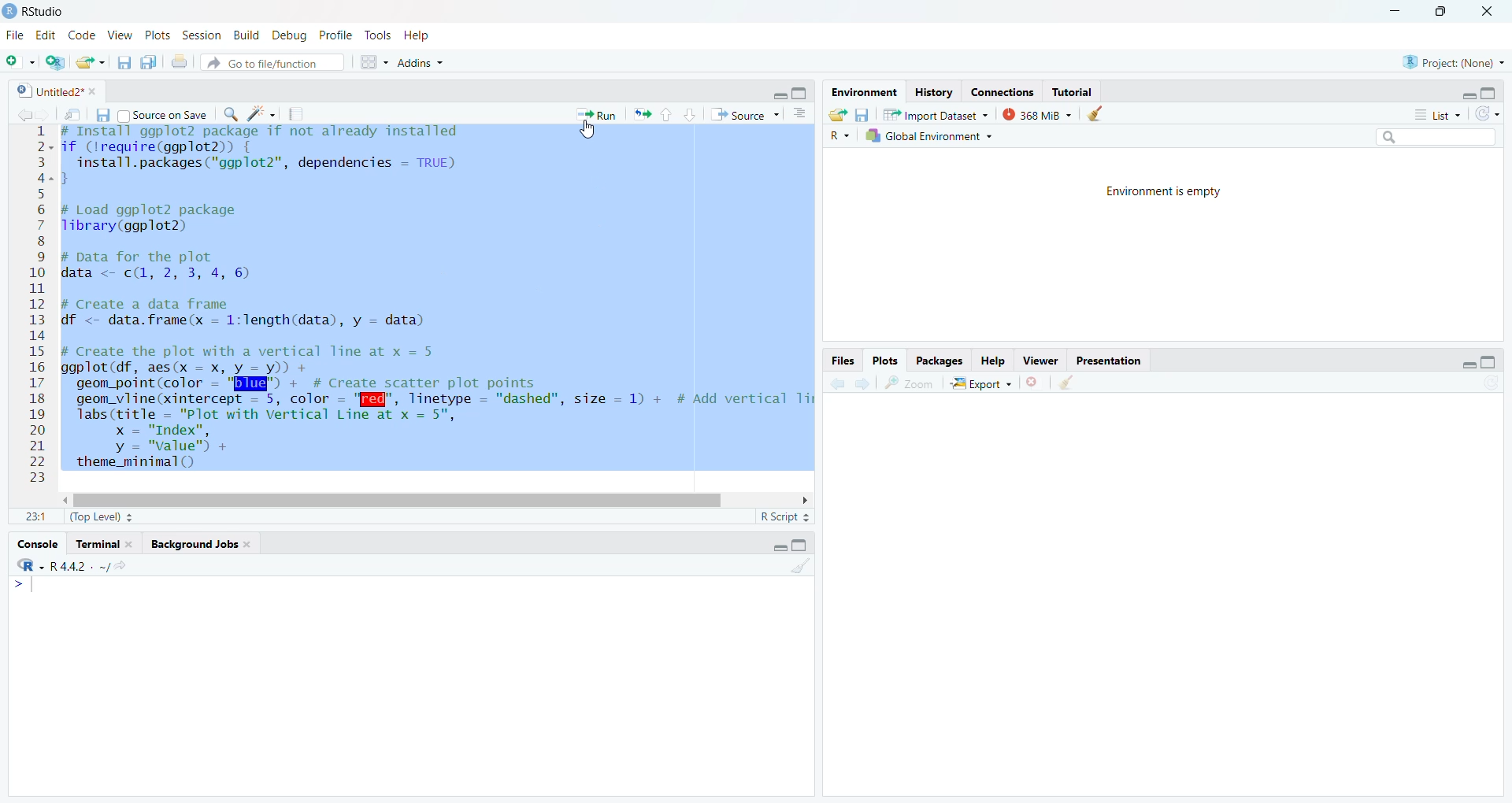  I want to click on minimise, so click(1467, 364).